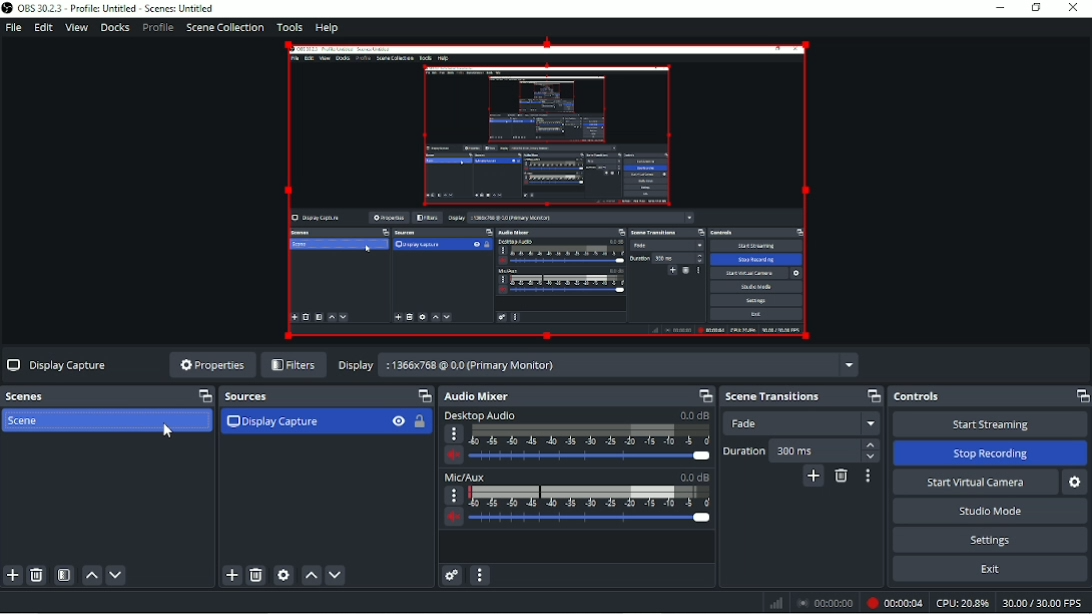  I want to click on Cursor, so click(167, 432).